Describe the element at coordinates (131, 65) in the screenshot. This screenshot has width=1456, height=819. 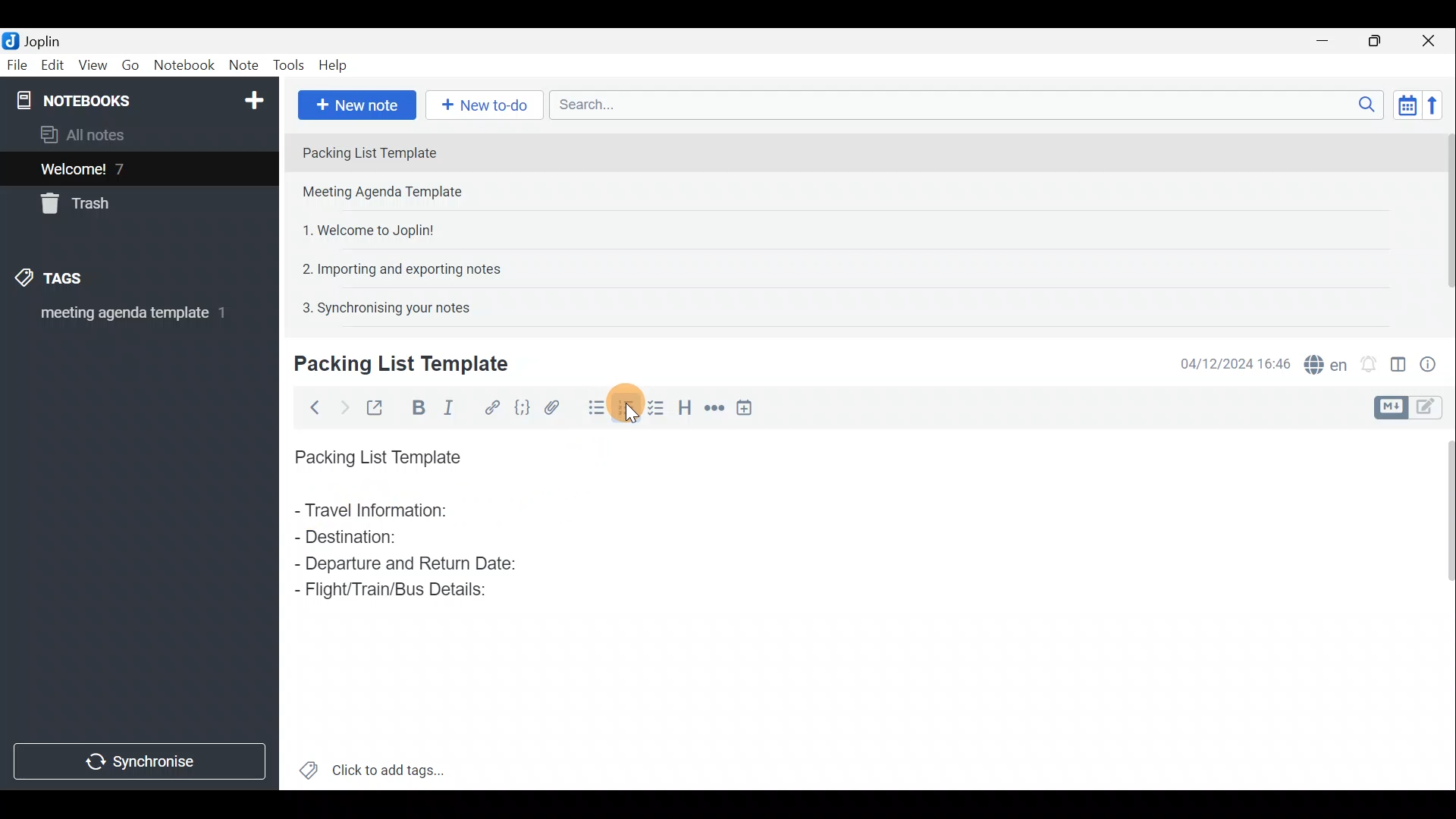
I see `Go` at that location.